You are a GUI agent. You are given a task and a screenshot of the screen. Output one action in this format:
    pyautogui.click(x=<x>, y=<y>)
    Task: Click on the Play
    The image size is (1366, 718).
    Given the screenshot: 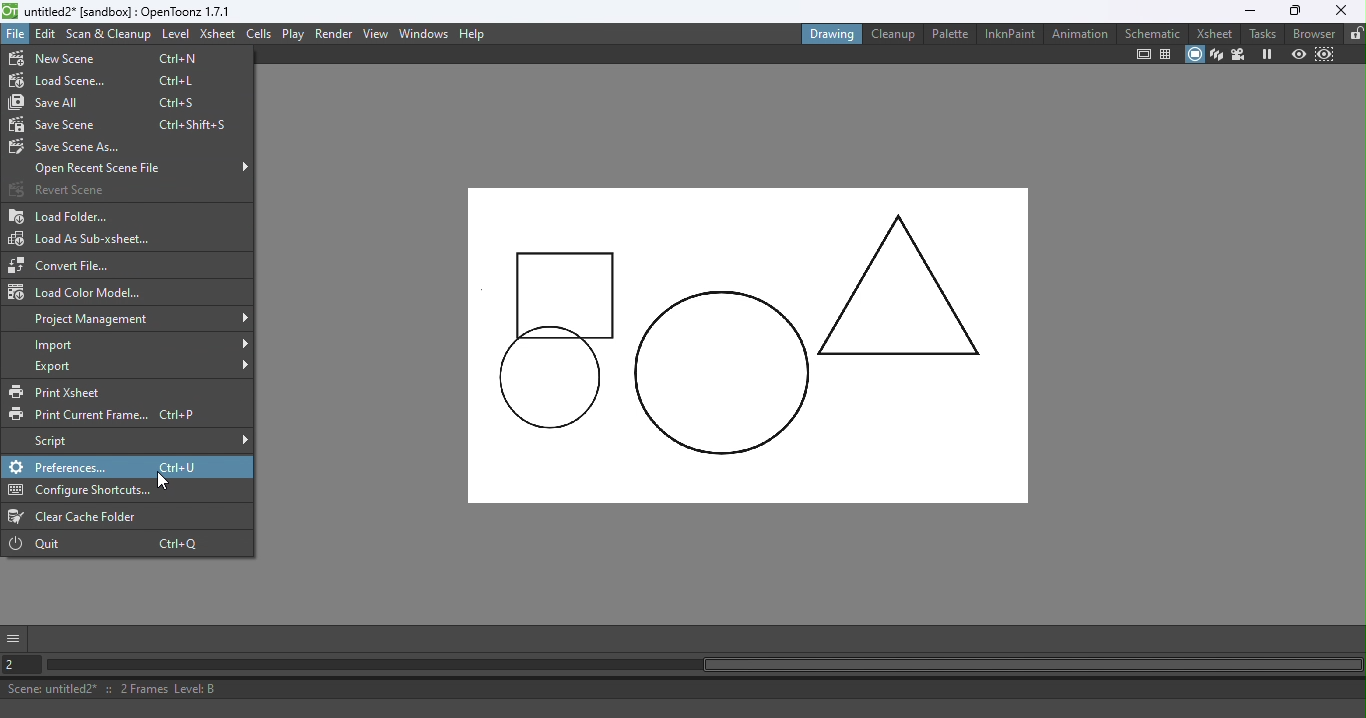 What is the action you would take?
    pyautogui.click(x=293, y=34)
    